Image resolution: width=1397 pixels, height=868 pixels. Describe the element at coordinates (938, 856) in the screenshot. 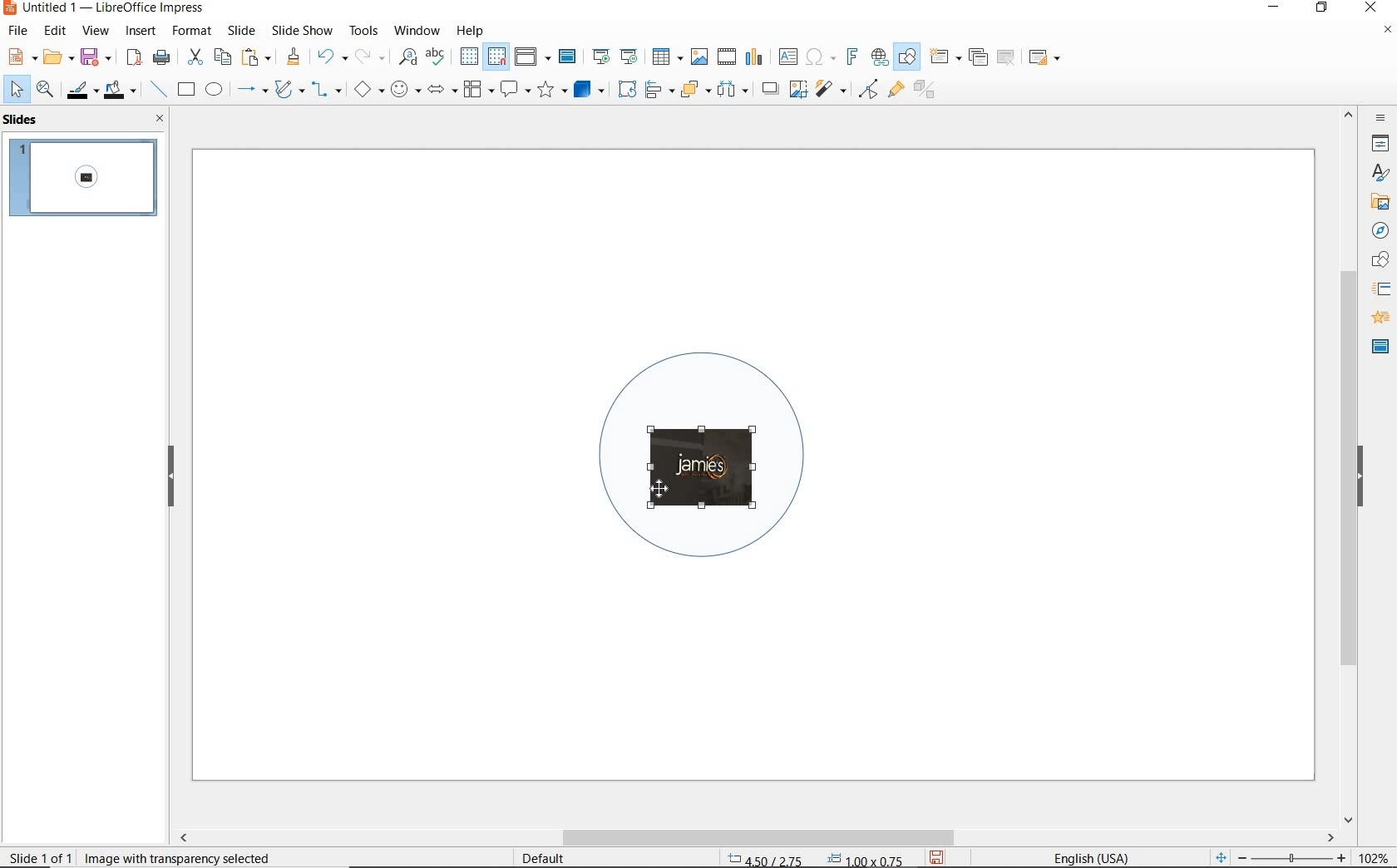

I see `save` at that location.